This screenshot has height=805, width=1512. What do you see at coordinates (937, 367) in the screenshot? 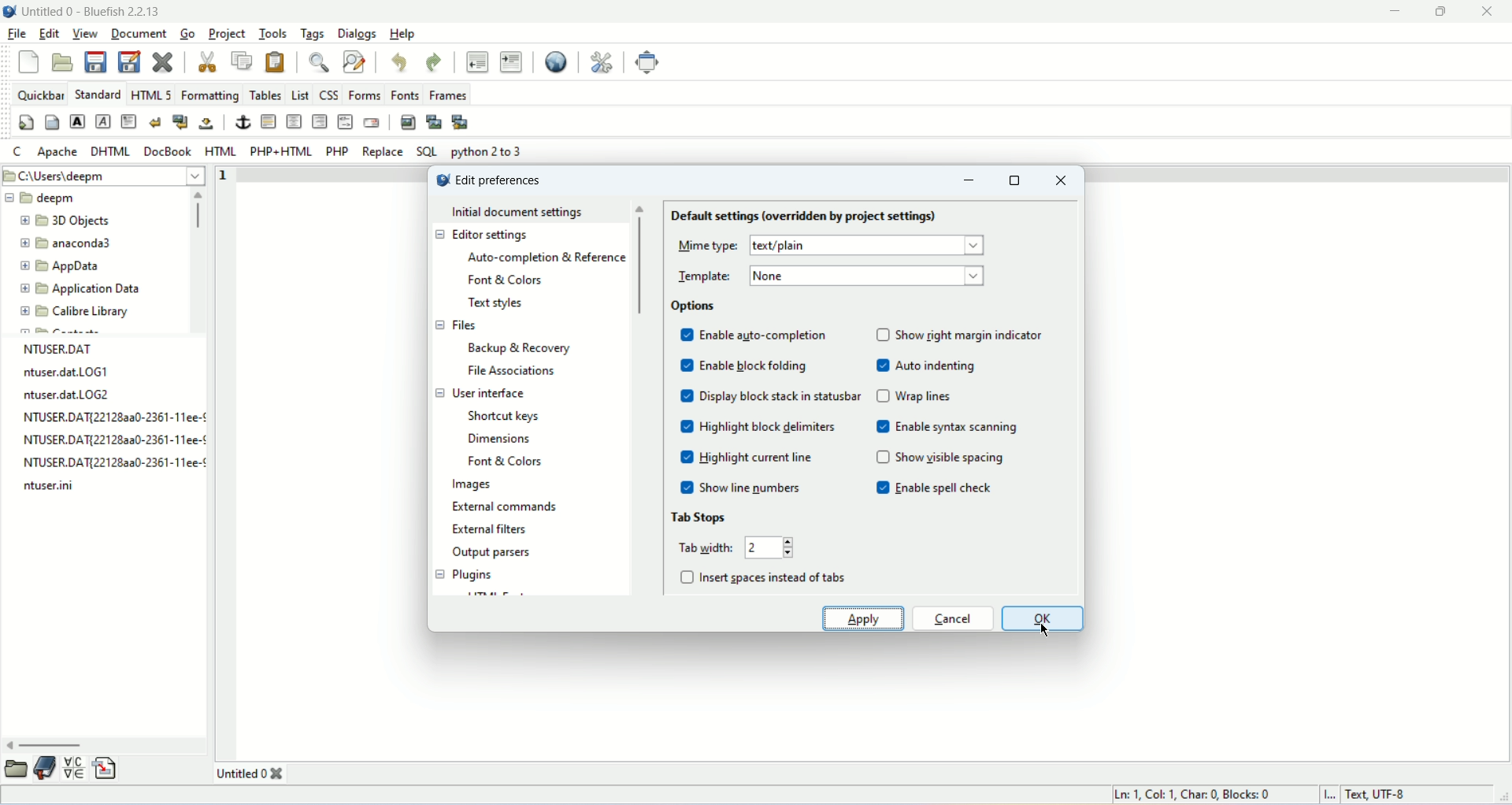
I see `auto indenting` at bounding box center [937, 367].